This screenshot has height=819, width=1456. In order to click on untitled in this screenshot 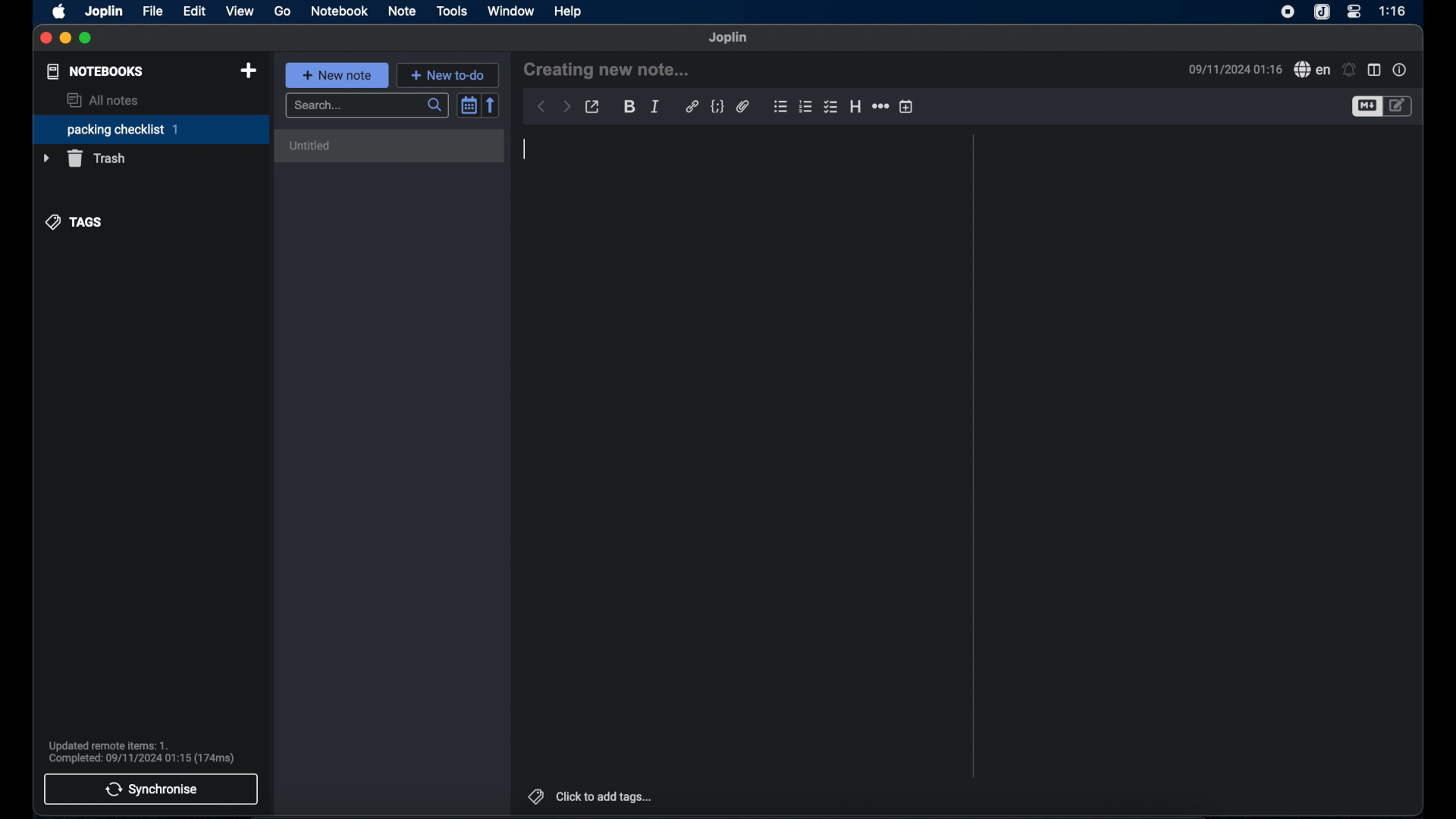, I will do `click(392, 146)`.